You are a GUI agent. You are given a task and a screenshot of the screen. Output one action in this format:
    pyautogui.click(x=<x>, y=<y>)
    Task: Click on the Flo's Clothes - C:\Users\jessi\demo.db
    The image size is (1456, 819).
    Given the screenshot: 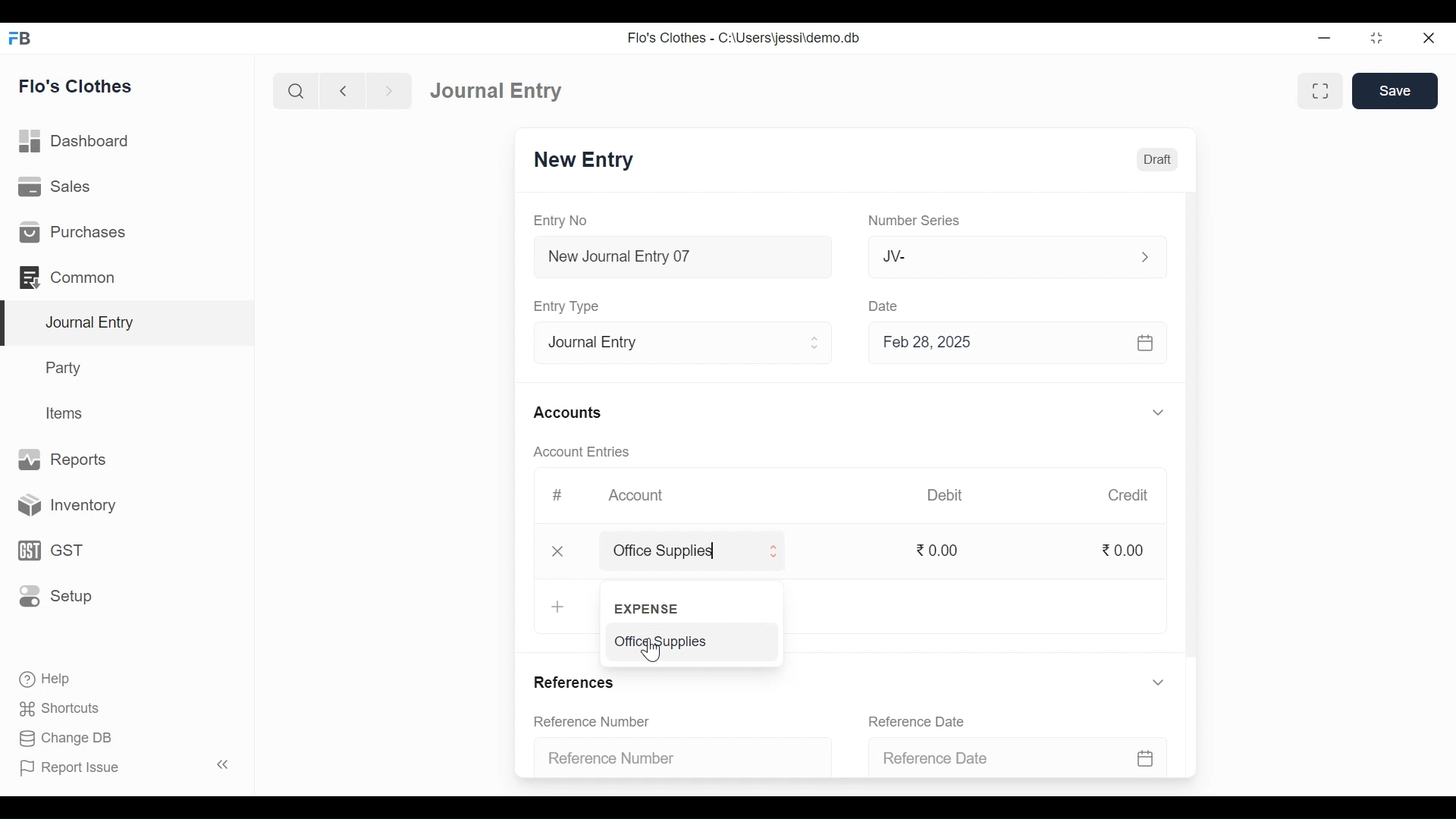 What is the action you would take?
    pyautogui.click(x=746, y=38)
    